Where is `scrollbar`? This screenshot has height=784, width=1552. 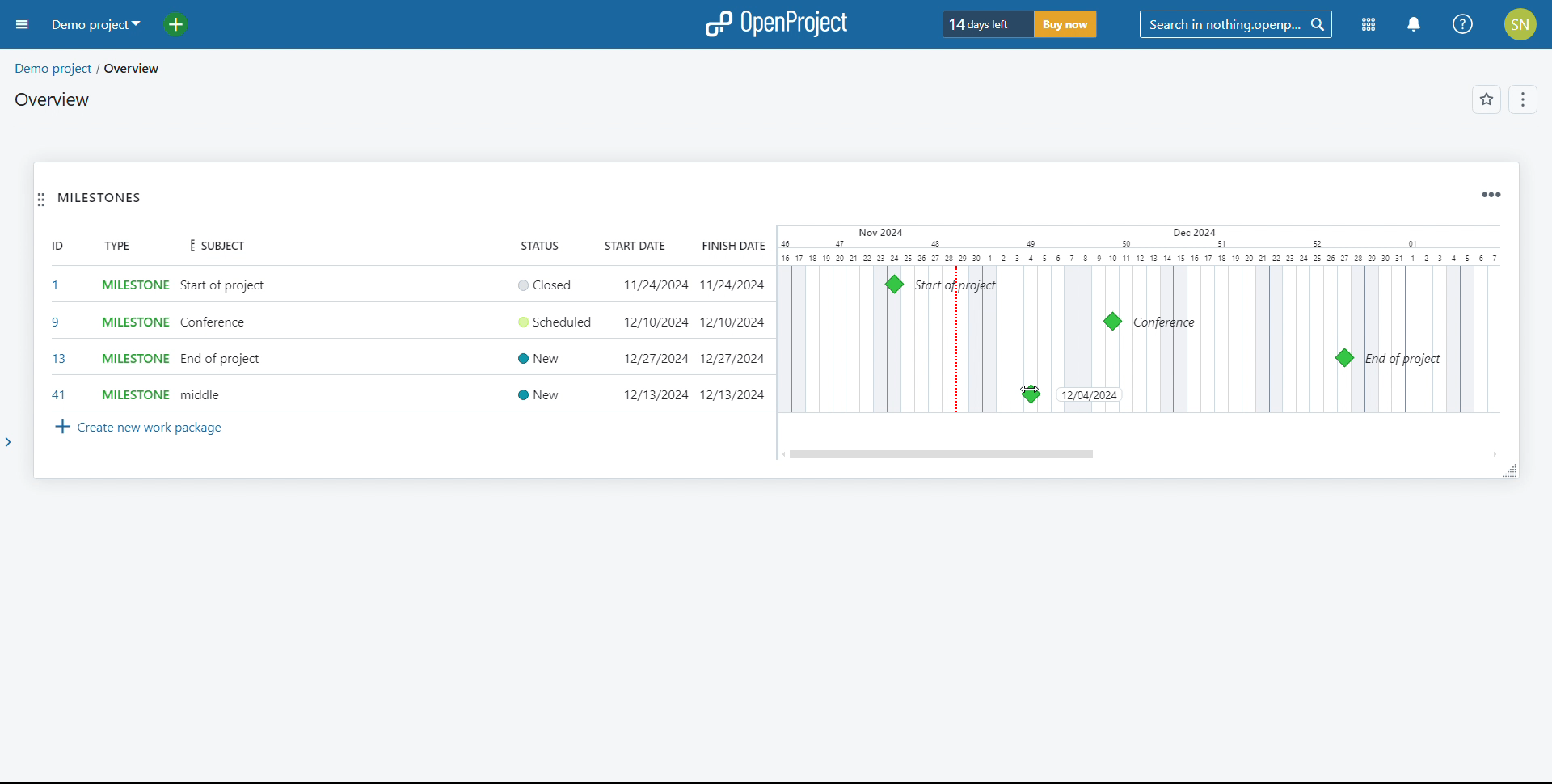 scrollbar is located at coordinates (943, 454).